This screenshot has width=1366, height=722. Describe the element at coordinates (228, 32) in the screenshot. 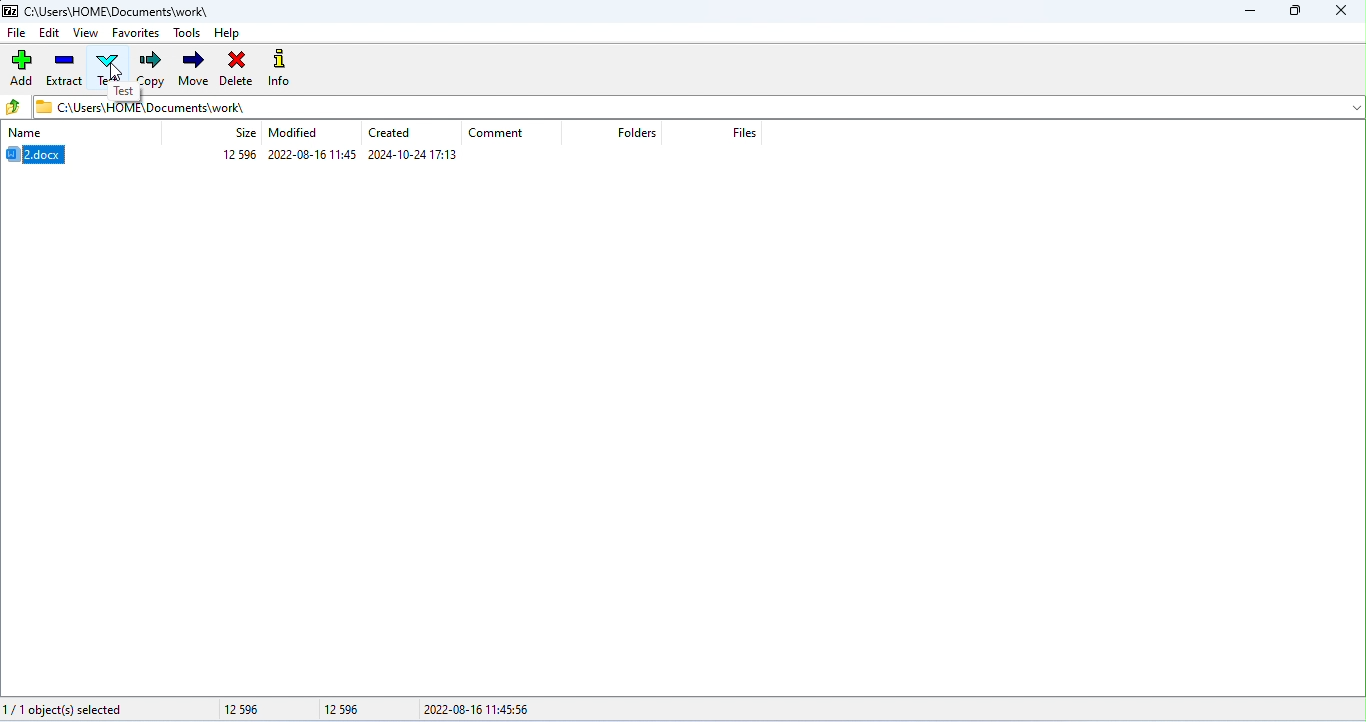

I see `help` at that location.